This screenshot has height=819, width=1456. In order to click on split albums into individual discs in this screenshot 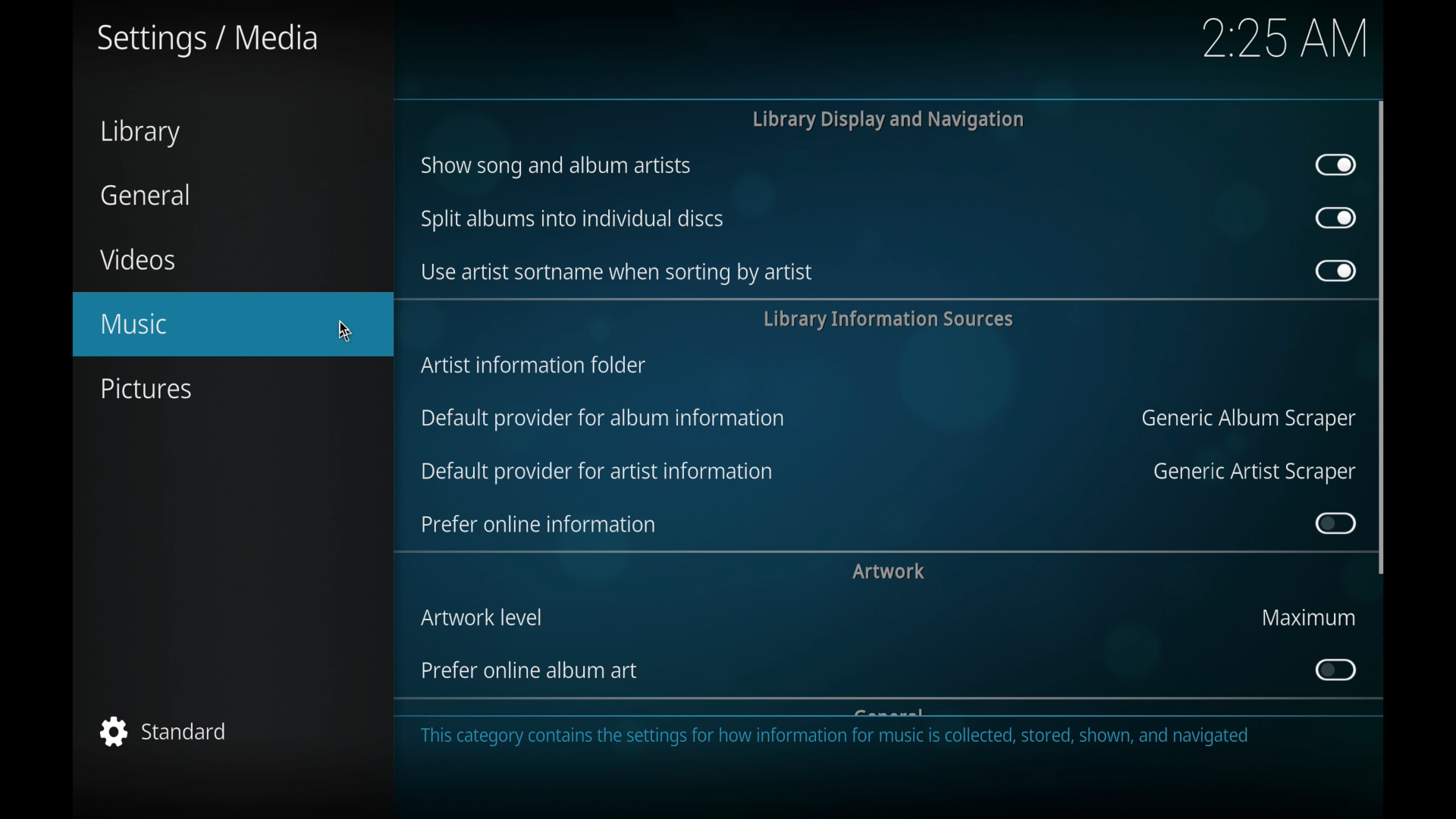, I will do `click(572, 219)`.